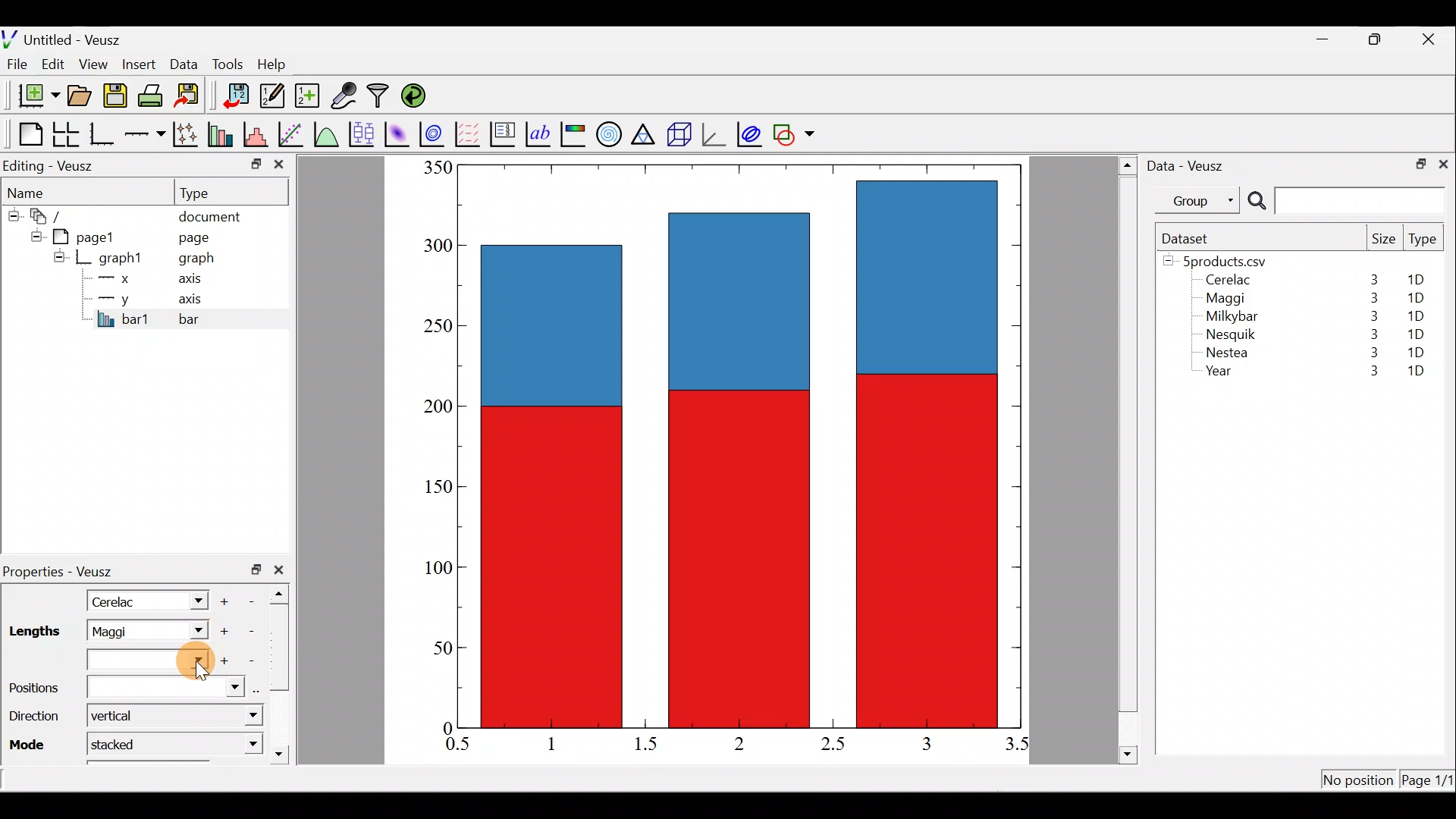 This screenshot has height=819, width=1456. What do you see at coordinates (1344, 201) in the screenshot?
I see `Search bar` at bounding box center [1344, 201].